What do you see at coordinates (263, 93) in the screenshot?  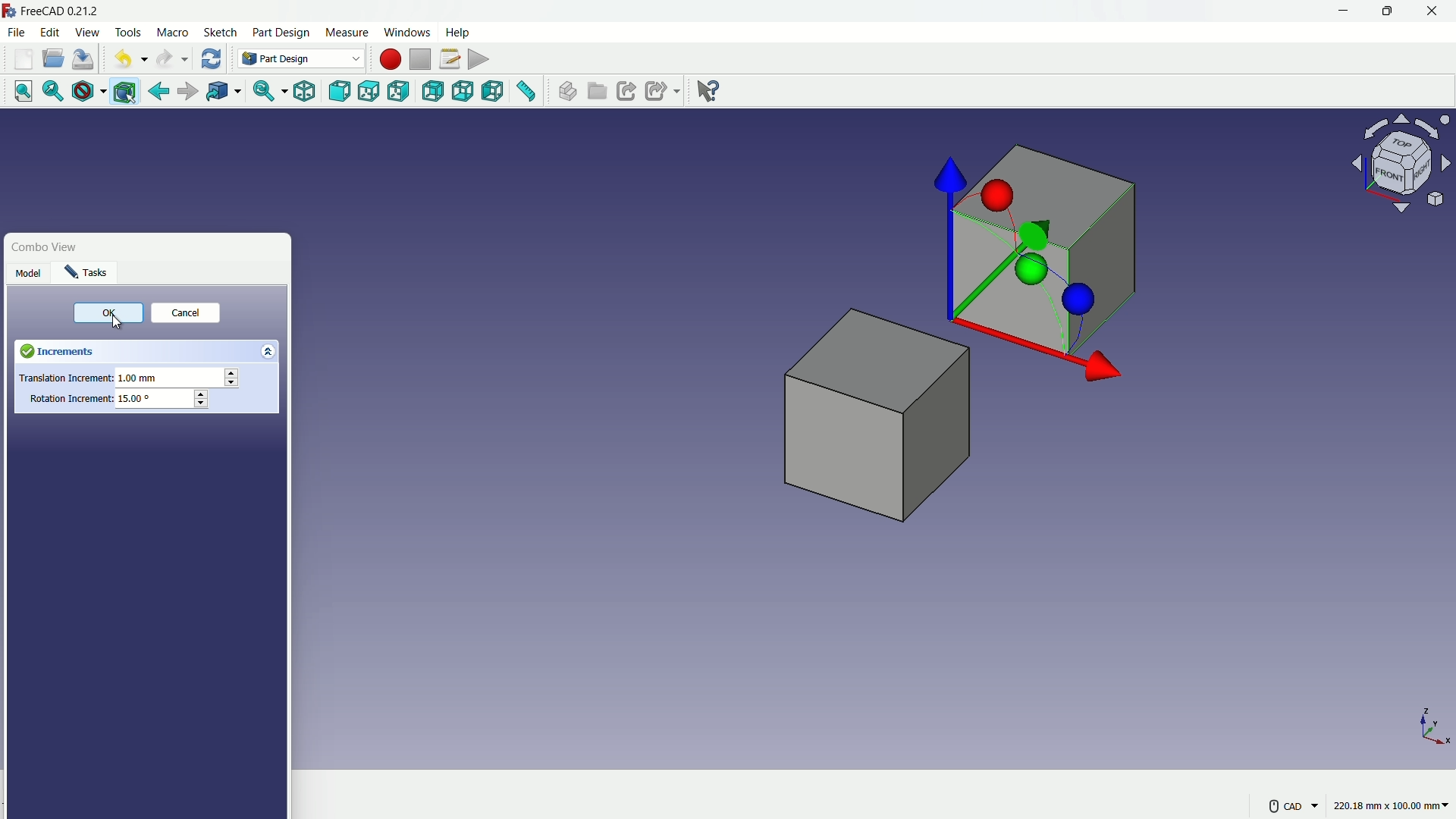 I see `sync view` at bounding box center [263, 93].